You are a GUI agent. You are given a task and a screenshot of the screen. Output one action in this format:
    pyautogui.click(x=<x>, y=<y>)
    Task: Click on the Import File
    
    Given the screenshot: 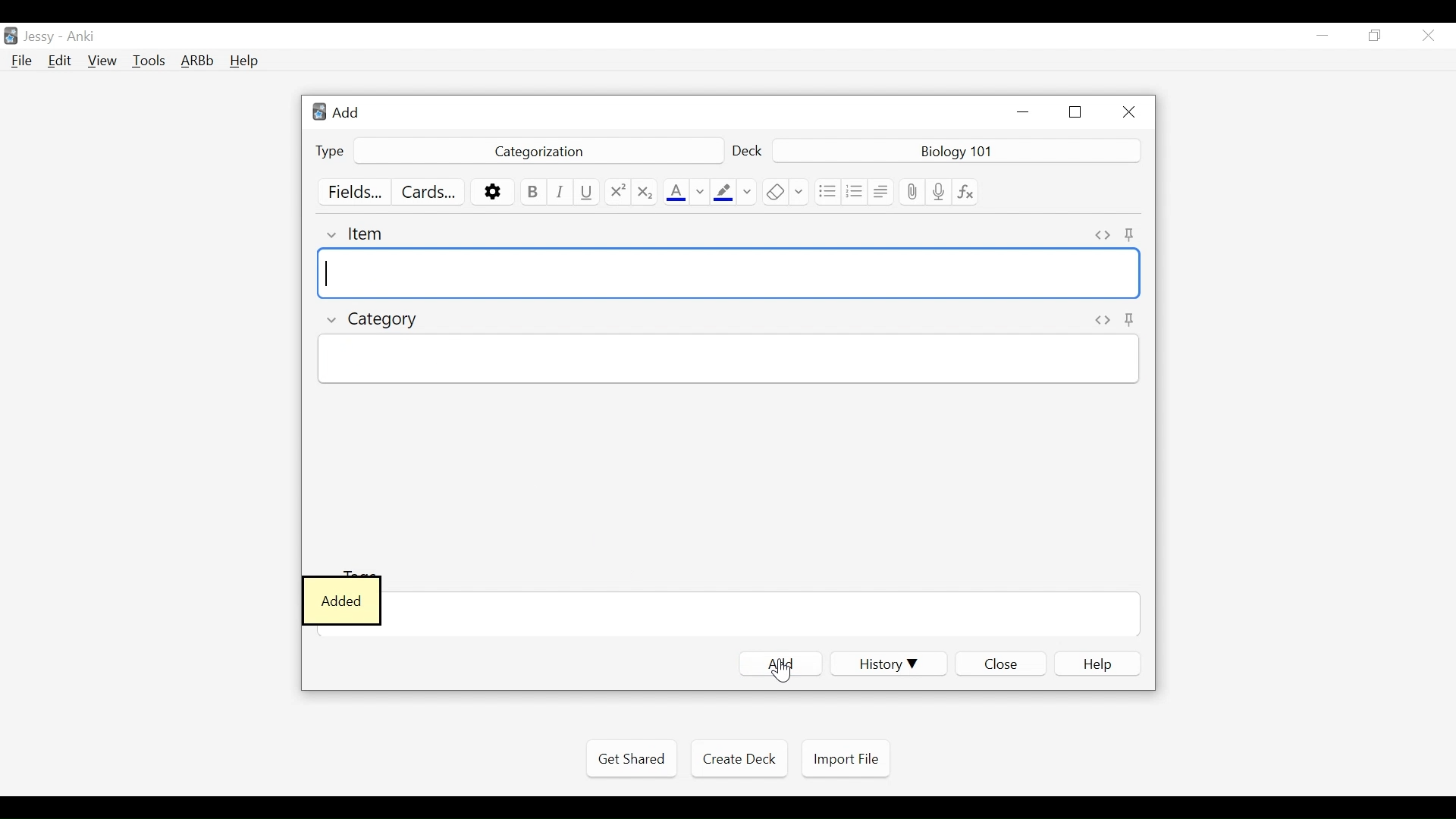 What is the action you would take?
    pyautogui.click(x=846, y=759)
    